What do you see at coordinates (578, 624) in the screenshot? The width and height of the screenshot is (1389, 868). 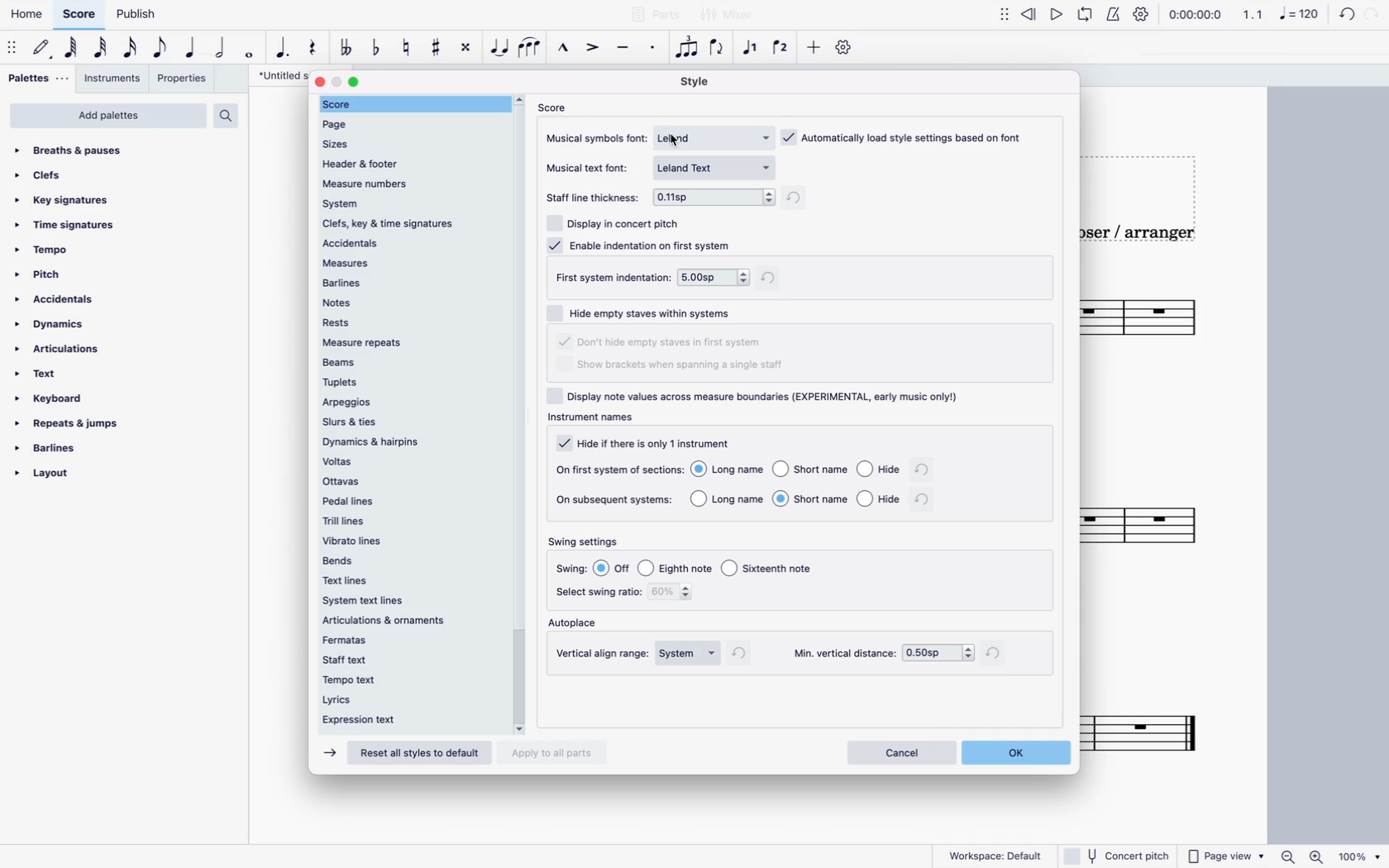 I see `autoplace` at bounding box center [578, 624].